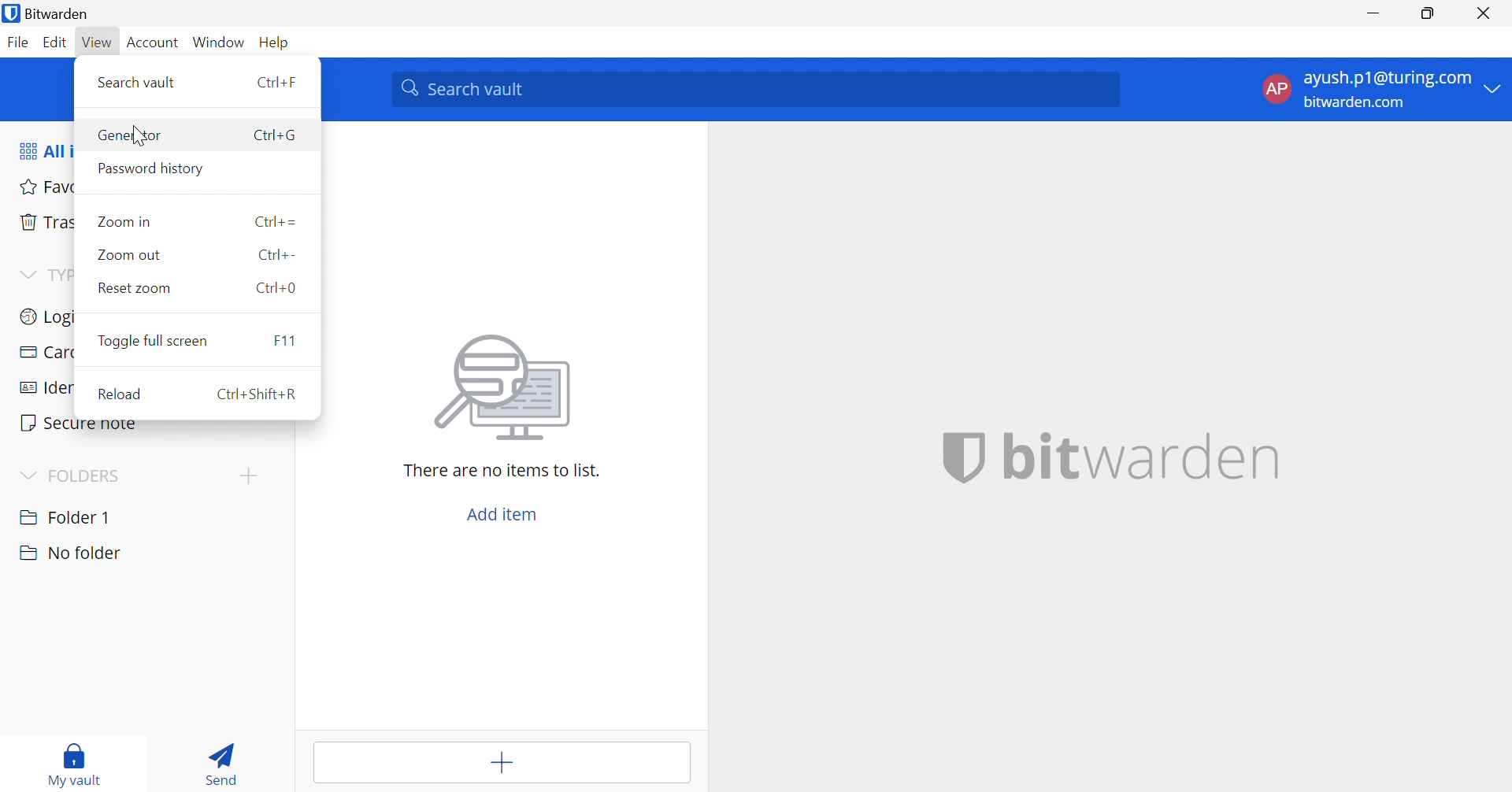 Image resolution: width=1512 pixels, height=792 pixels. I want to click on Toggle full screen, so click(154, 341).